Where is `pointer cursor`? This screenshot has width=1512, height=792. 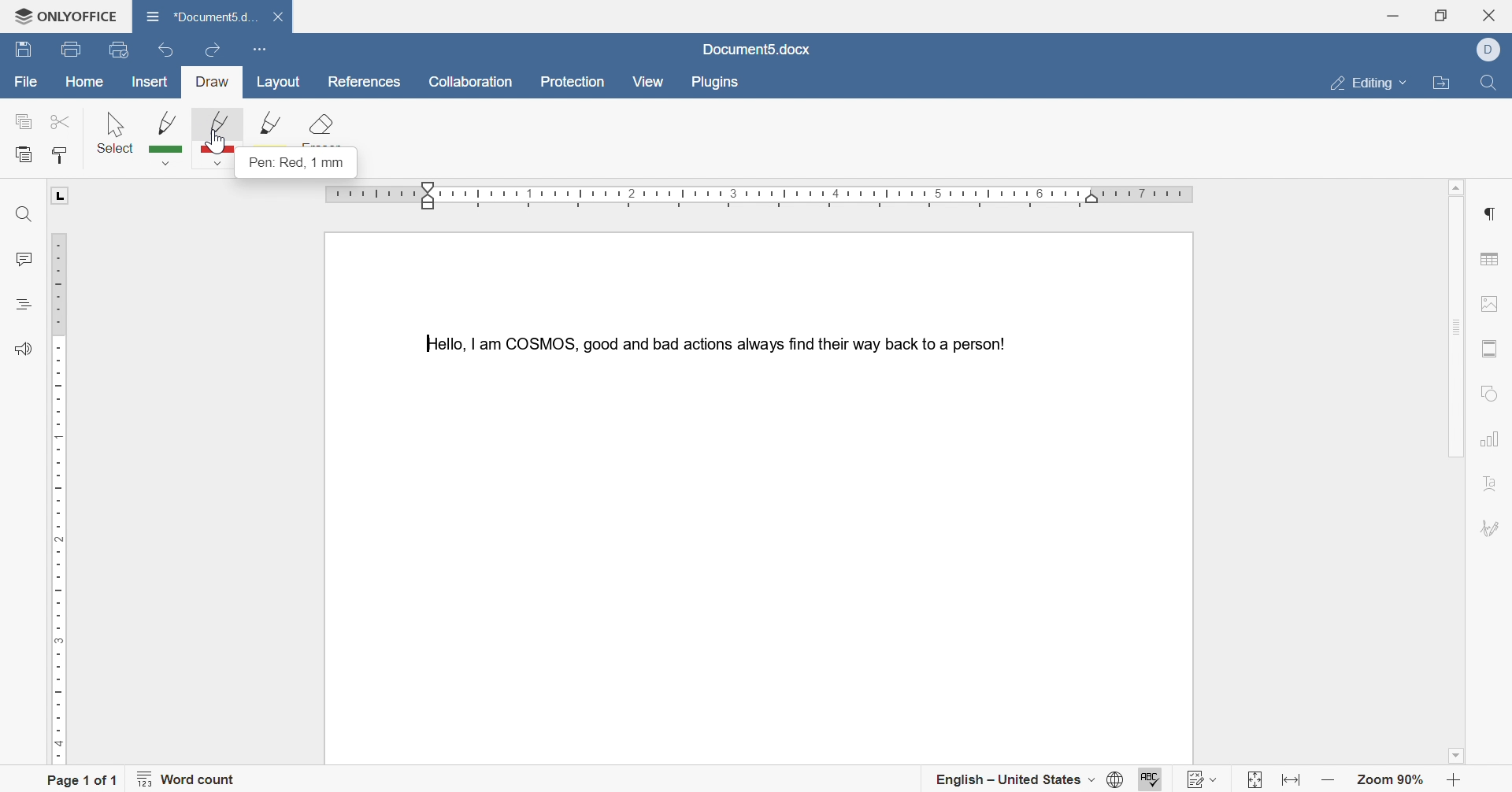 pointer cursor is located at coordinates (216, 150).